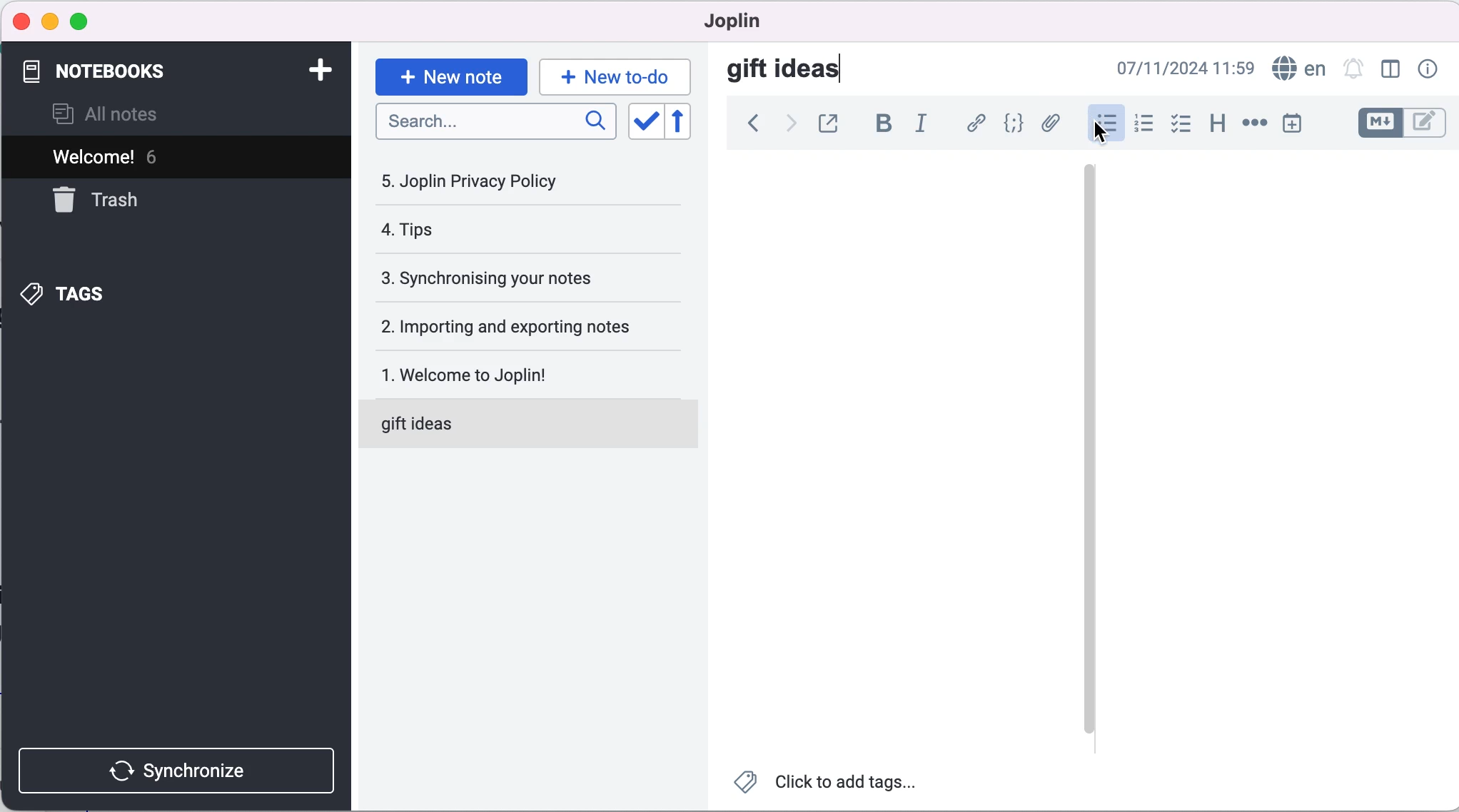  What do you see at coordinates (1353, 70) in the screenshot?
I see `set alarm` at bounding box center [1353, 70].